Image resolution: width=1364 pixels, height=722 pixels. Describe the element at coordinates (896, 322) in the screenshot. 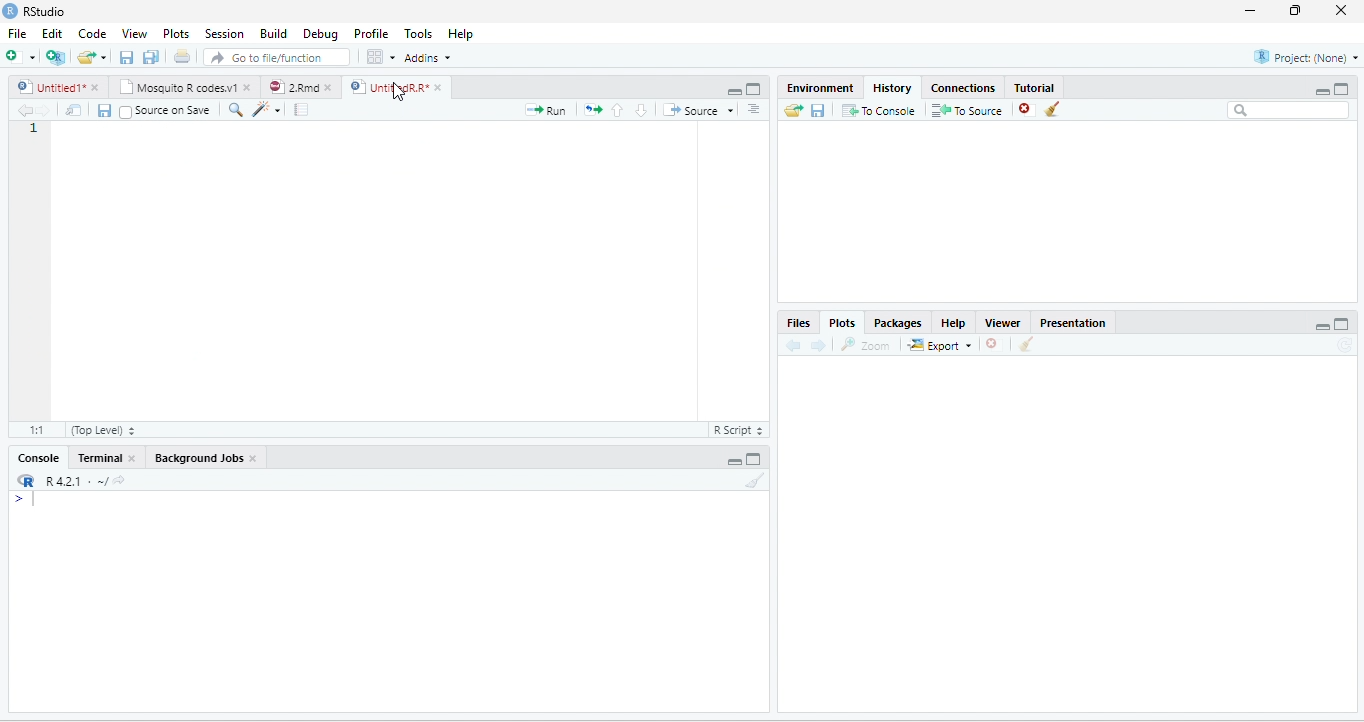

I see `Packages` at that location.